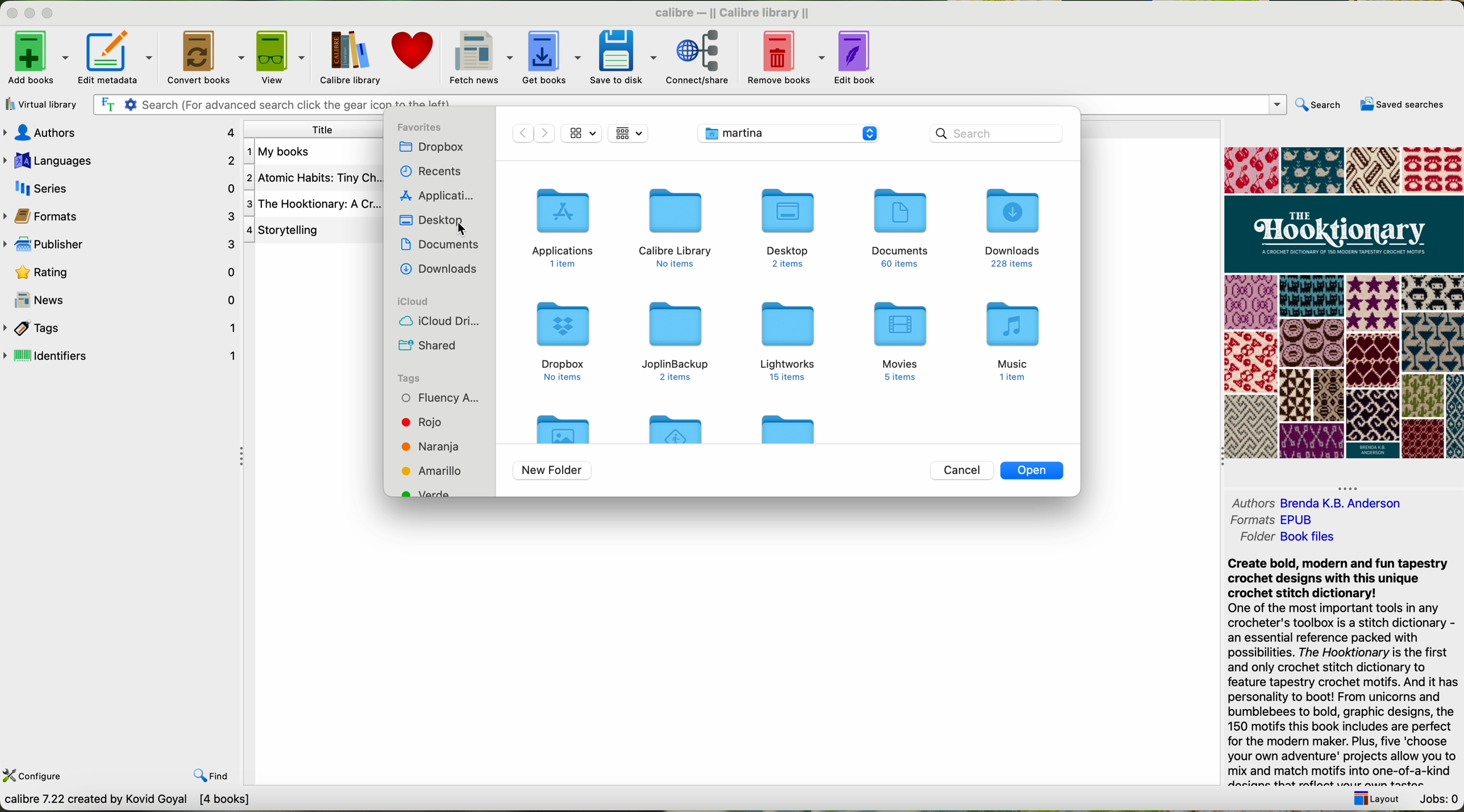 Image resolution: width=1464 pixels, height=812 pixels. I want to click on authors, so click(120, 134).